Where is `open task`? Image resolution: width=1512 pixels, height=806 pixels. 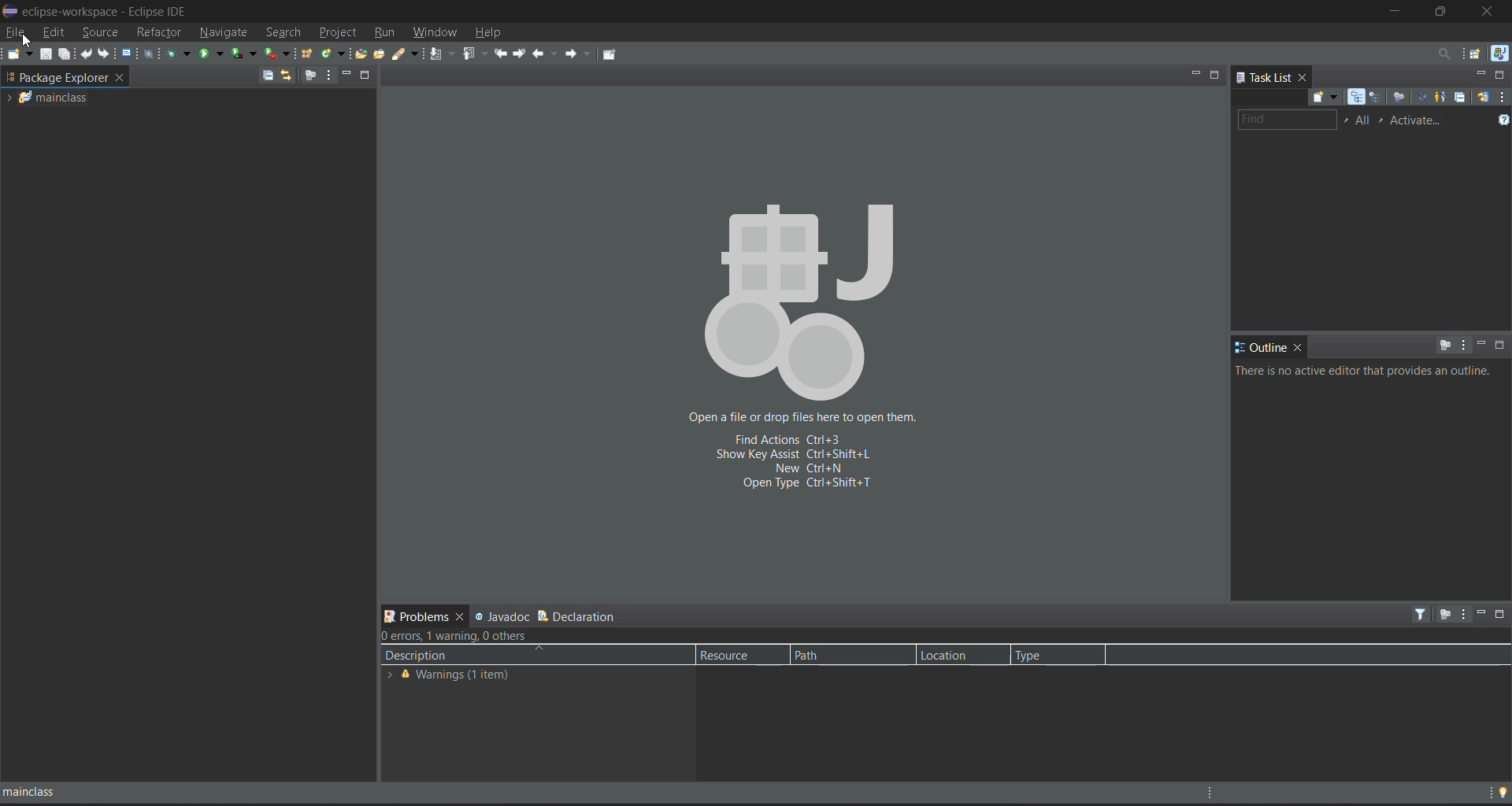 open task is located at coordinates (383, 54).